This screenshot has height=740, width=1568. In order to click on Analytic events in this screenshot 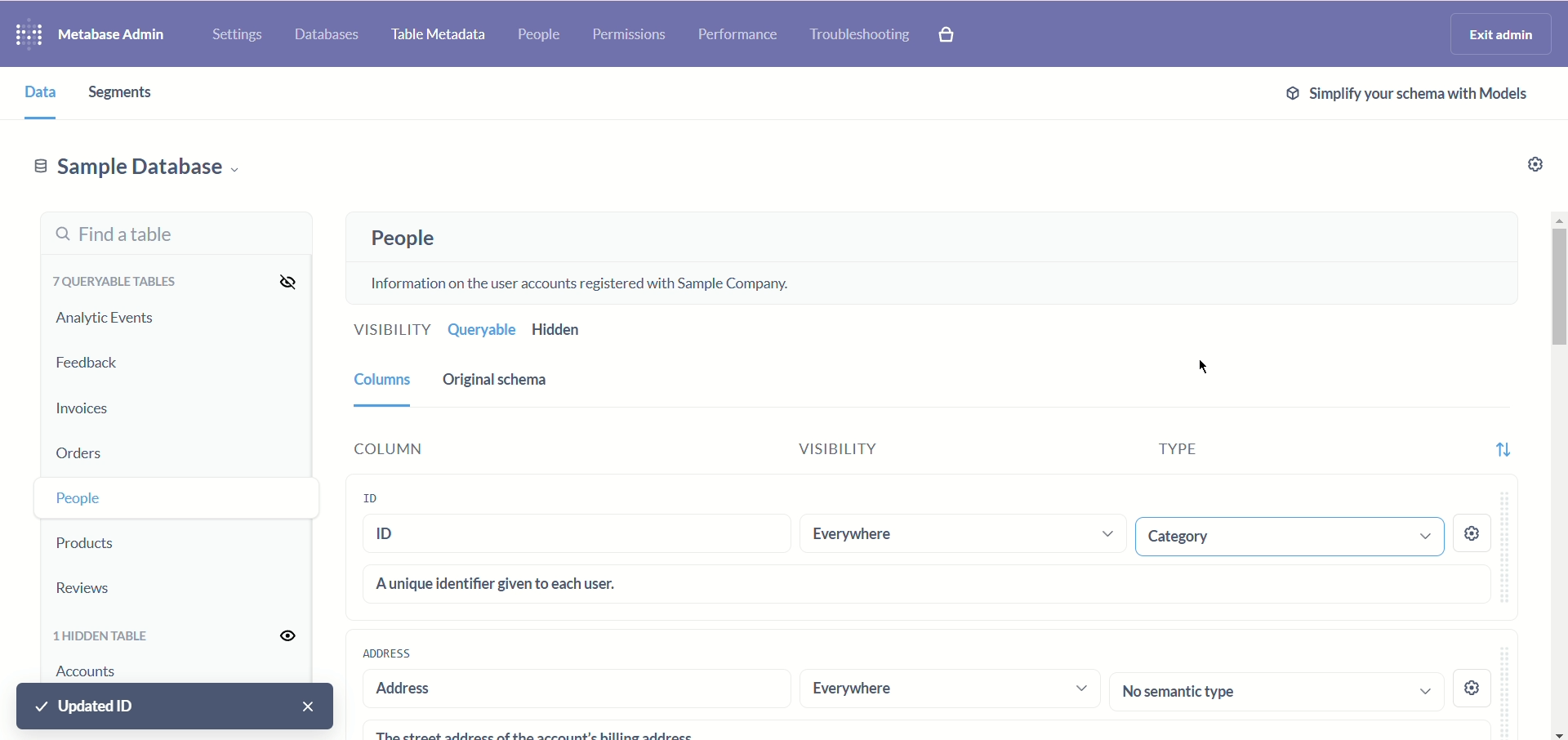, I will do `click(104, 319)`.